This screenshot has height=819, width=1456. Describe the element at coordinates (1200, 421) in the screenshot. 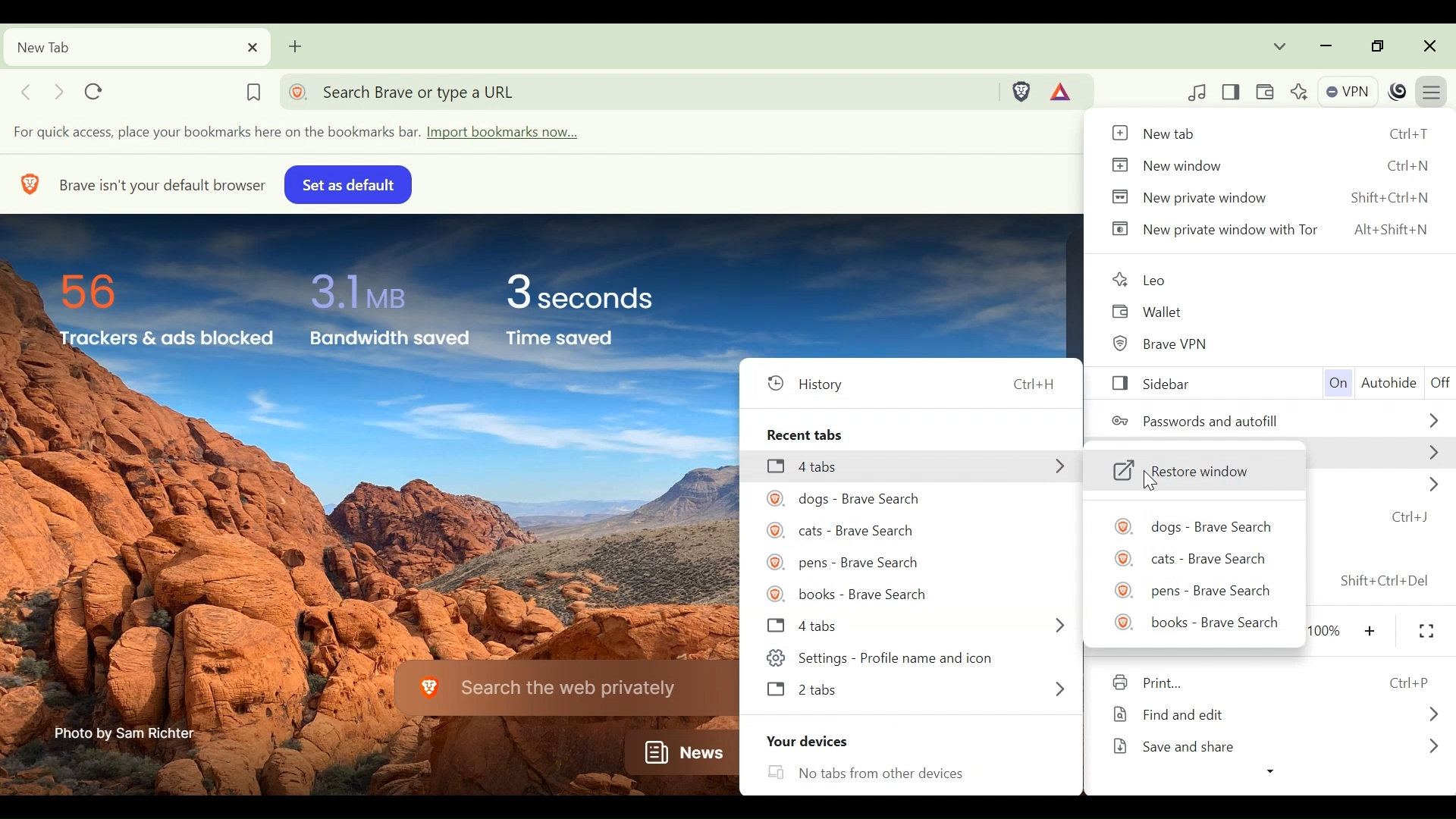

I see `© Passwords and autofill` at that location.